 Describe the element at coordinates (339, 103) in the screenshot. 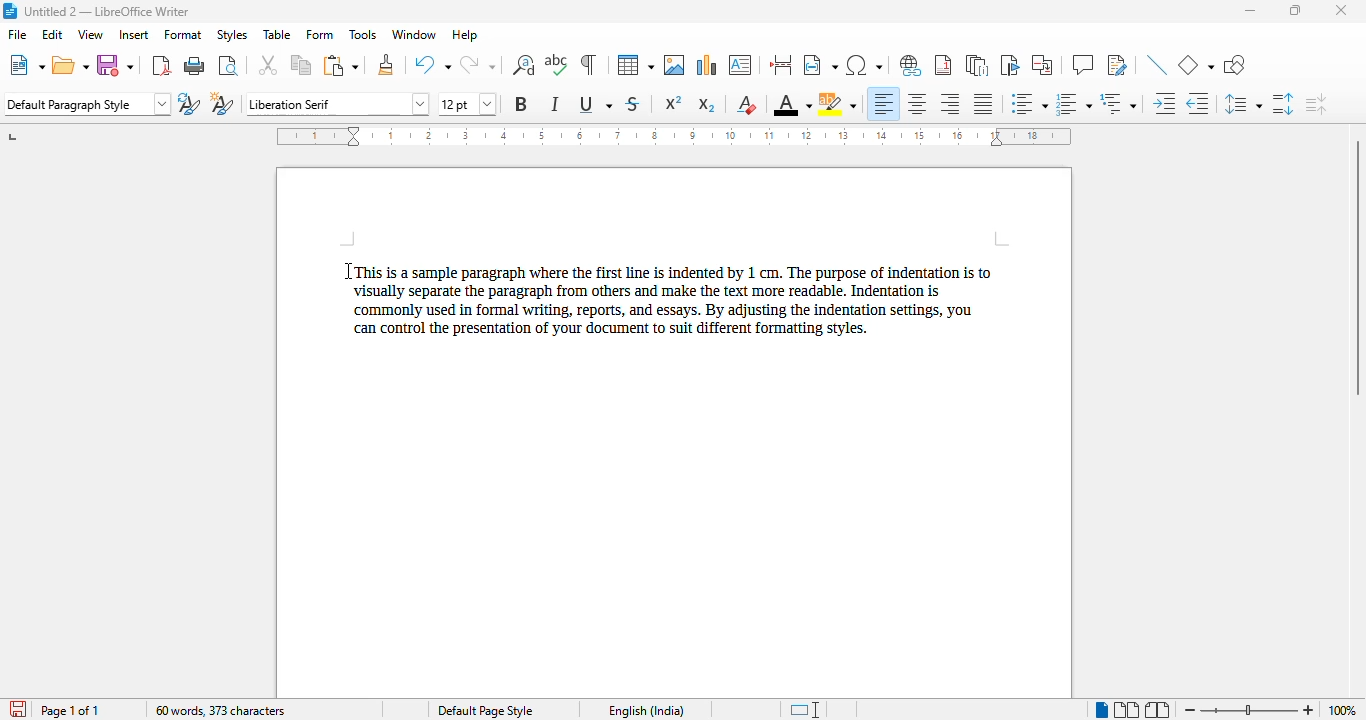

I see `font name` at that location.